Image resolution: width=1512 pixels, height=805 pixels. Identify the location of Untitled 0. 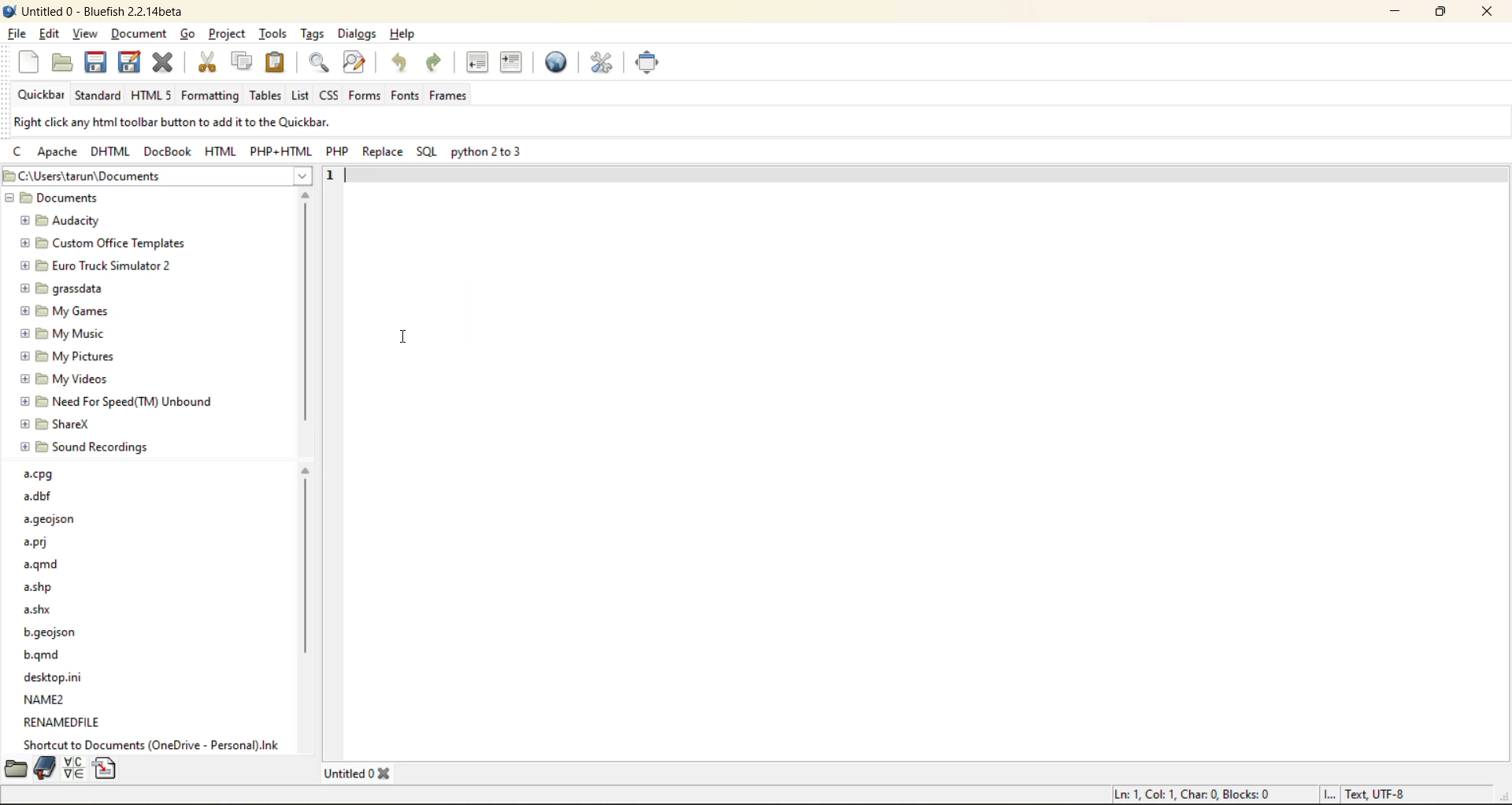
(348, 773).